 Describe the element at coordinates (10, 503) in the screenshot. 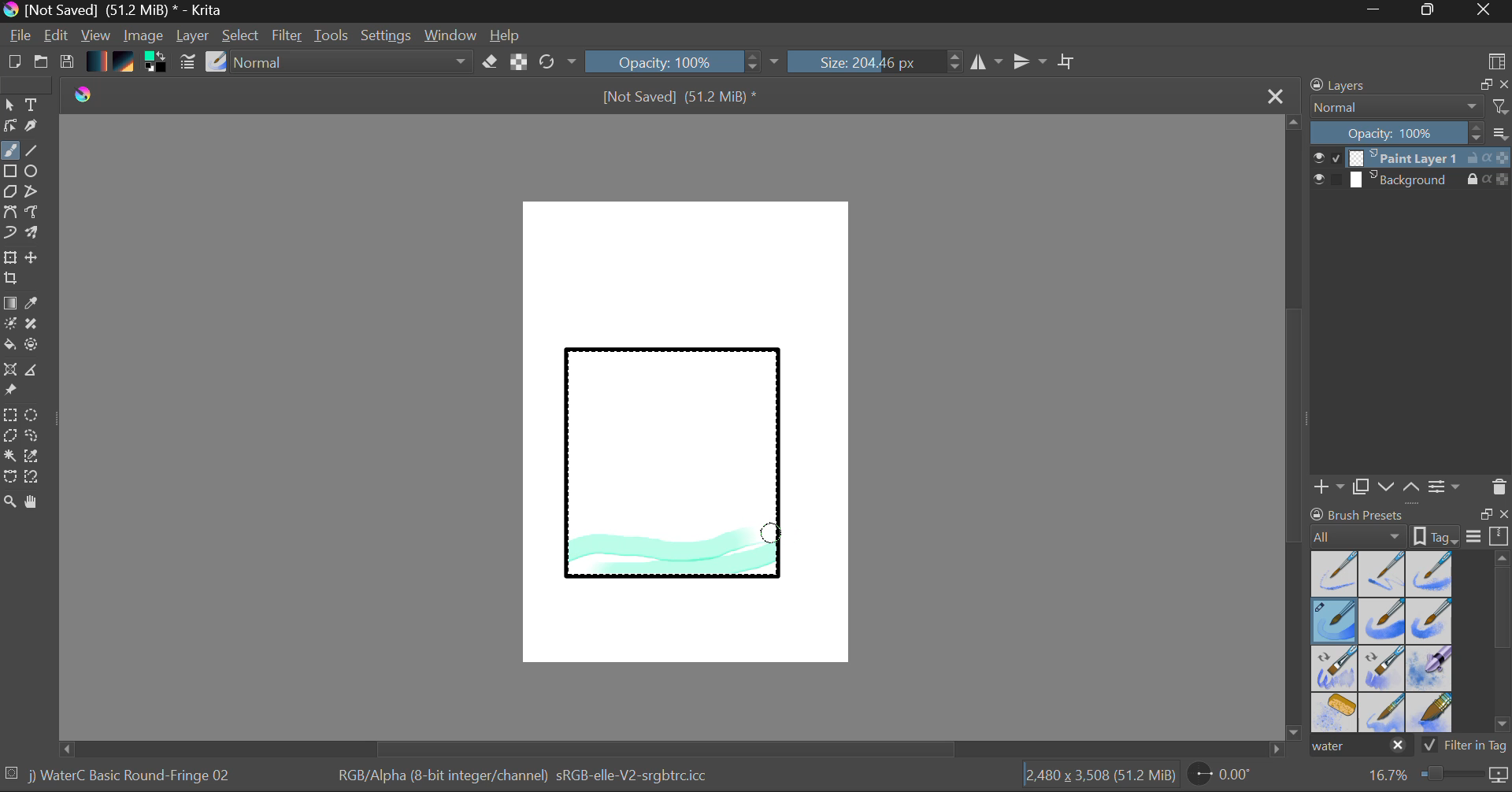

I see `Zoom` at that location.